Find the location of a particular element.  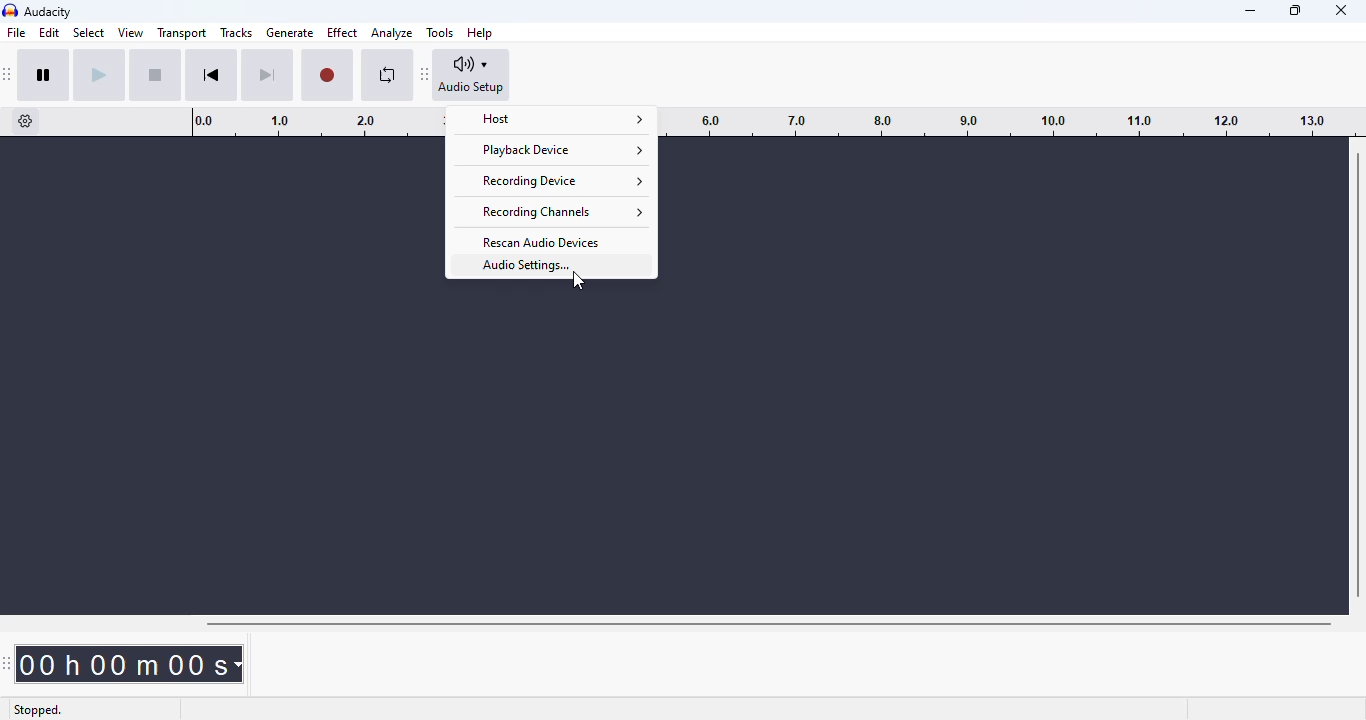

transport is located at coordinates (183, 32).